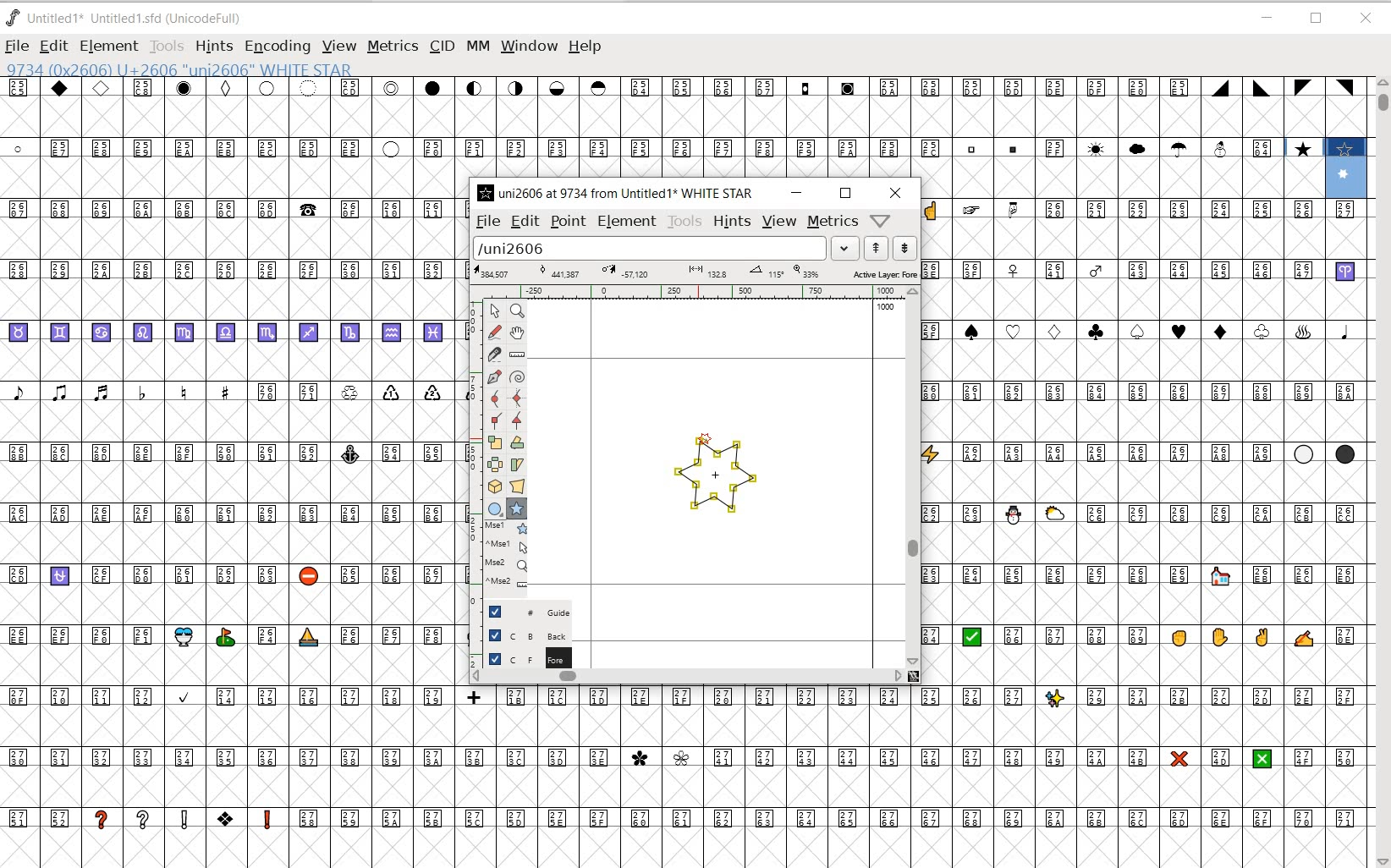 This screenshot has height=868, width=1391. What do you see at coordinates (229, 523) in the screenshot?
I see `GLYPHY CHARACTERS & NUMBERS` at bounding box center [229, 523].